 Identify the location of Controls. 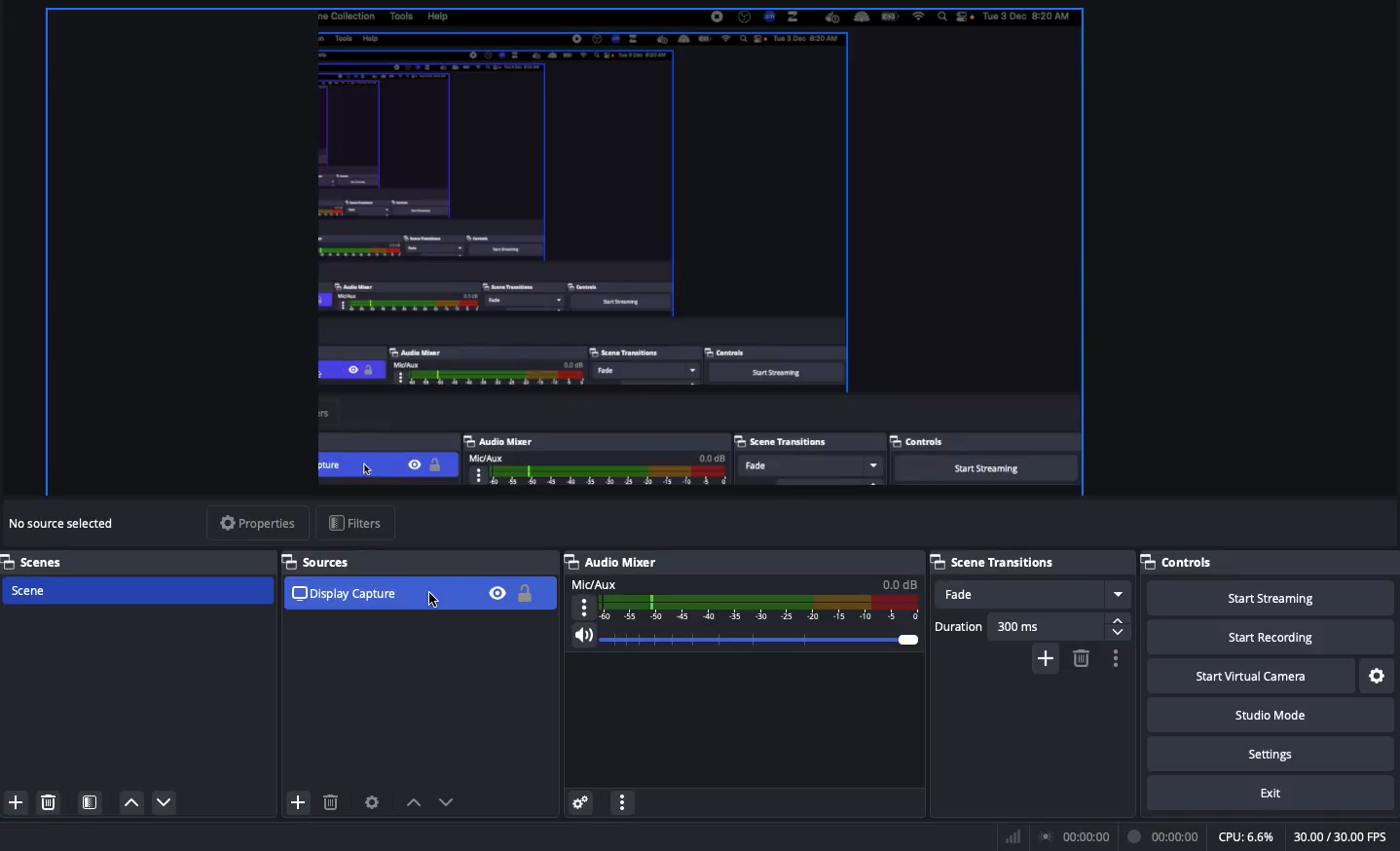
(1181, 559).